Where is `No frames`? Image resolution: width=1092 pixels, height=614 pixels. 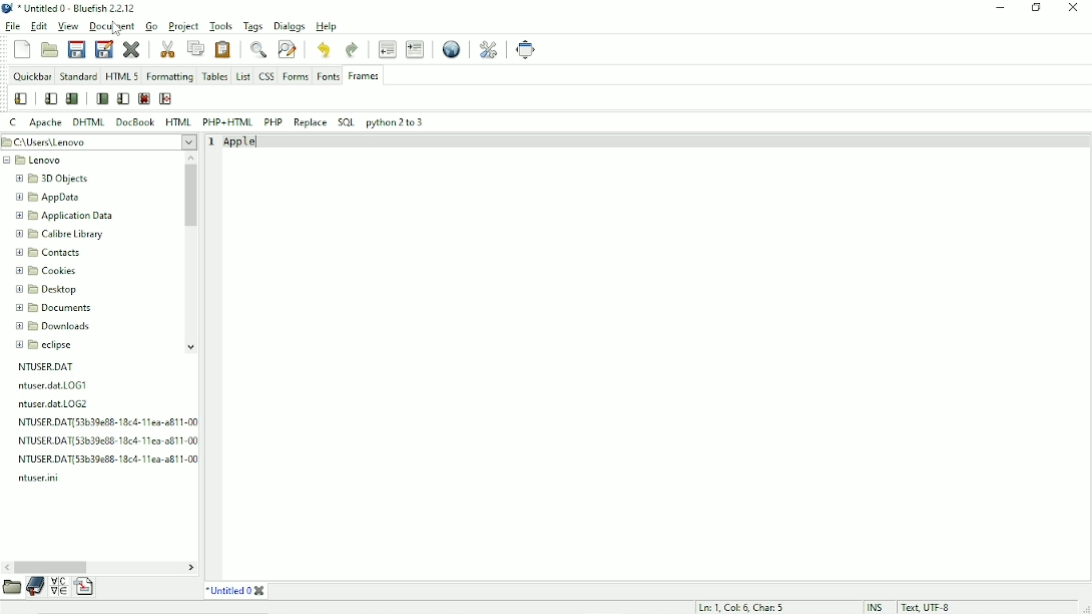
No frames is located at coordinates (143, 99).